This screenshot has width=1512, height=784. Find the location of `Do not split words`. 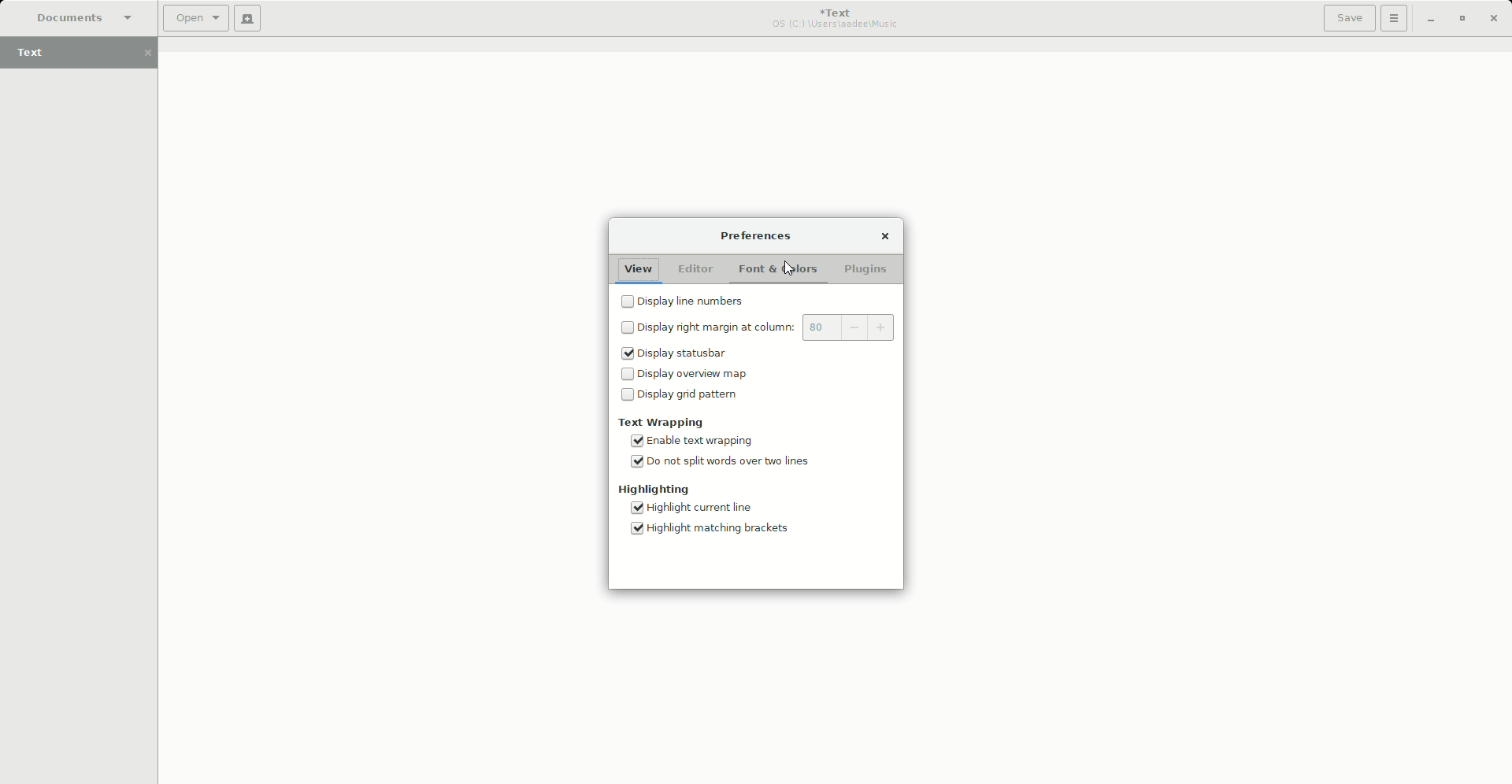

Do not split words is located at coordinates (725, 463).